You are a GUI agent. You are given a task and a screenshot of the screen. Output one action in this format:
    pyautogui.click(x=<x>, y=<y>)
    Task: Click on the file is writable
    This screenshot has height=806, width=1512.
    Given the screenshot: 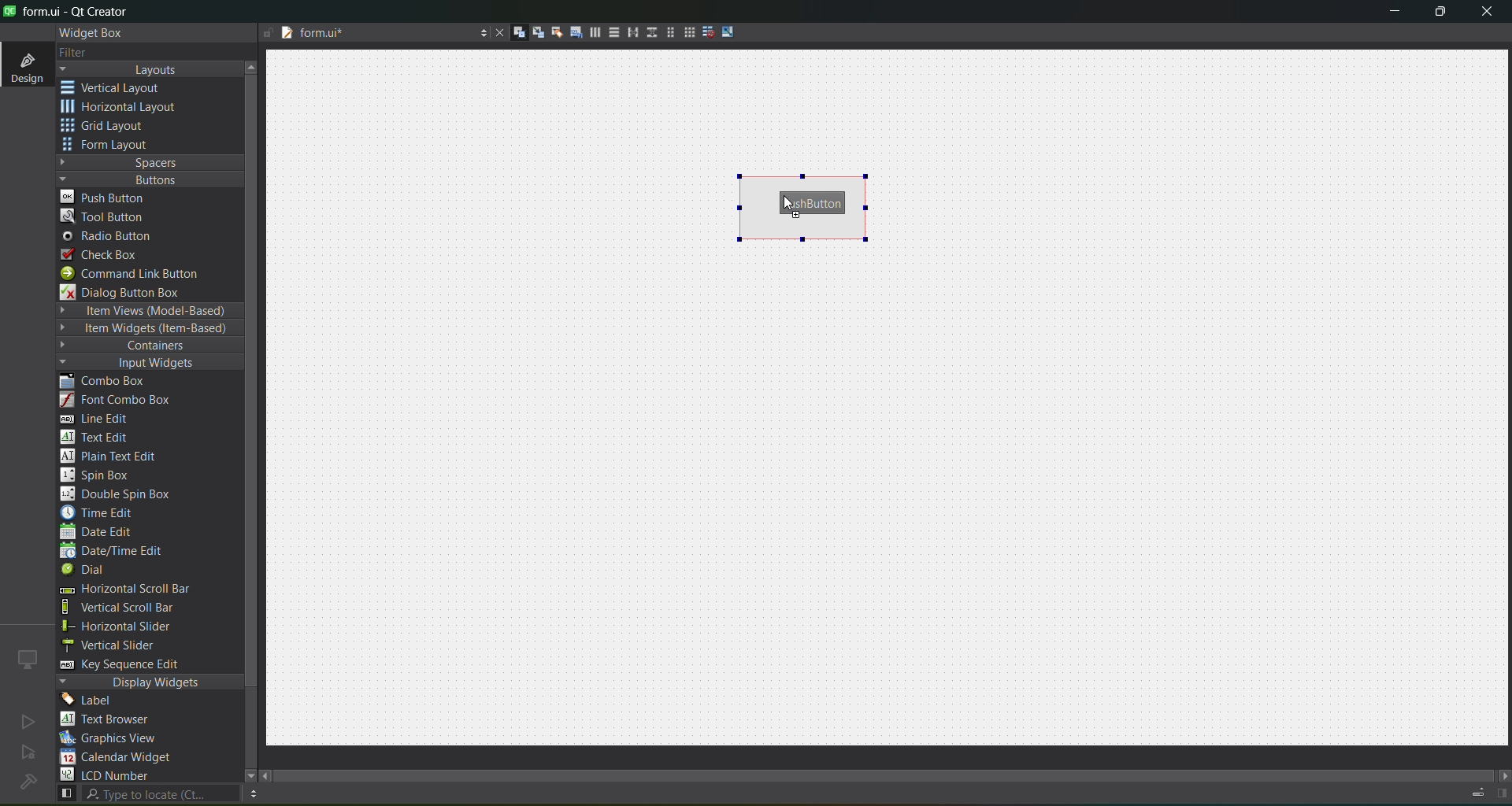 What is the action you would take?
    pyautogui.click(x=268, y=34)
    